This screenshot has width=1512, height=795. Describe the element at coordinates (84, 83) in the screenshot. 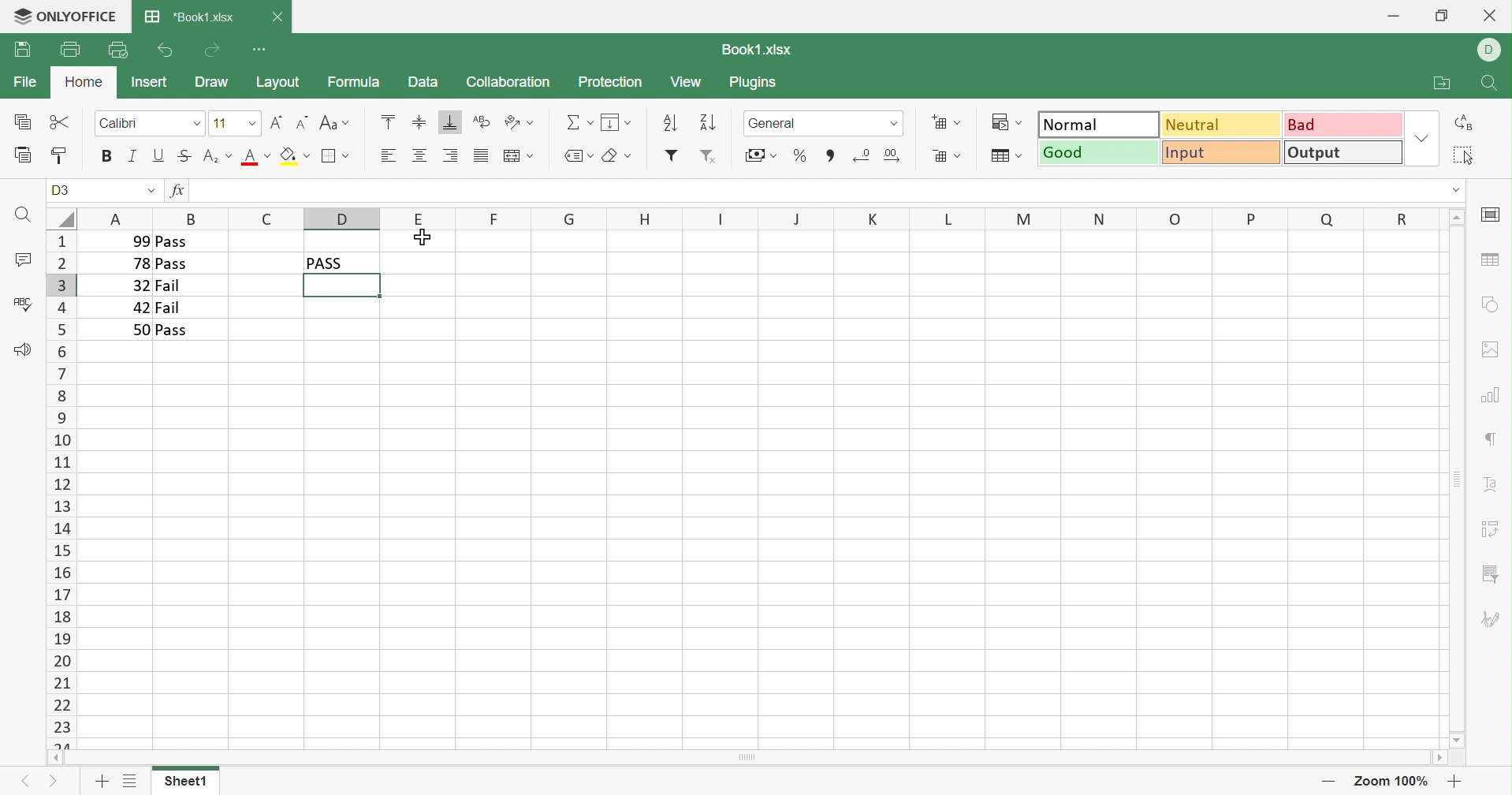

I see `Home` at that location.